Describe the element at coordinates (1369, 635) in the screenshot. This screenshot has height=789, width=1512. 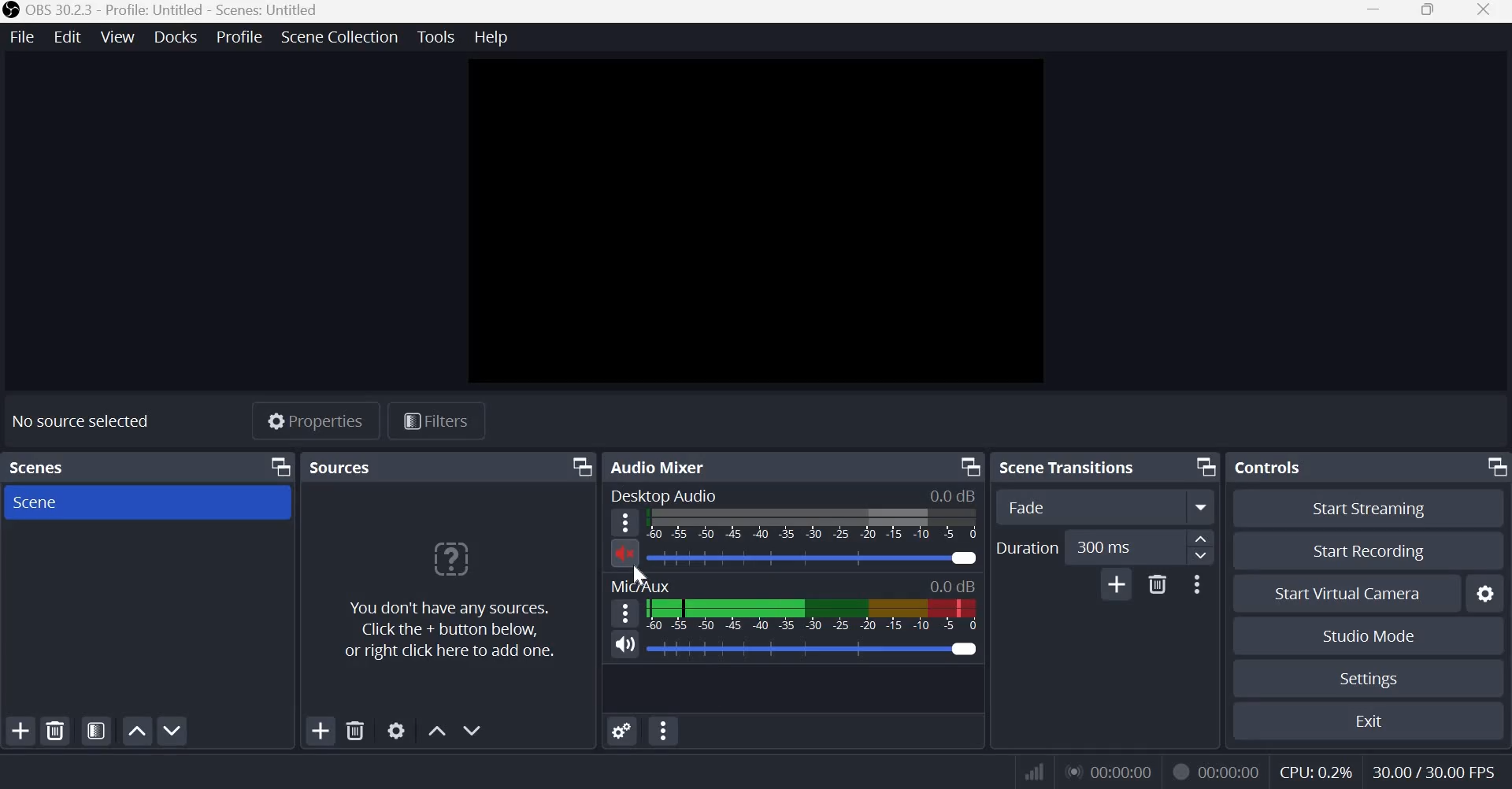
I see `Studio Mode` at that location.